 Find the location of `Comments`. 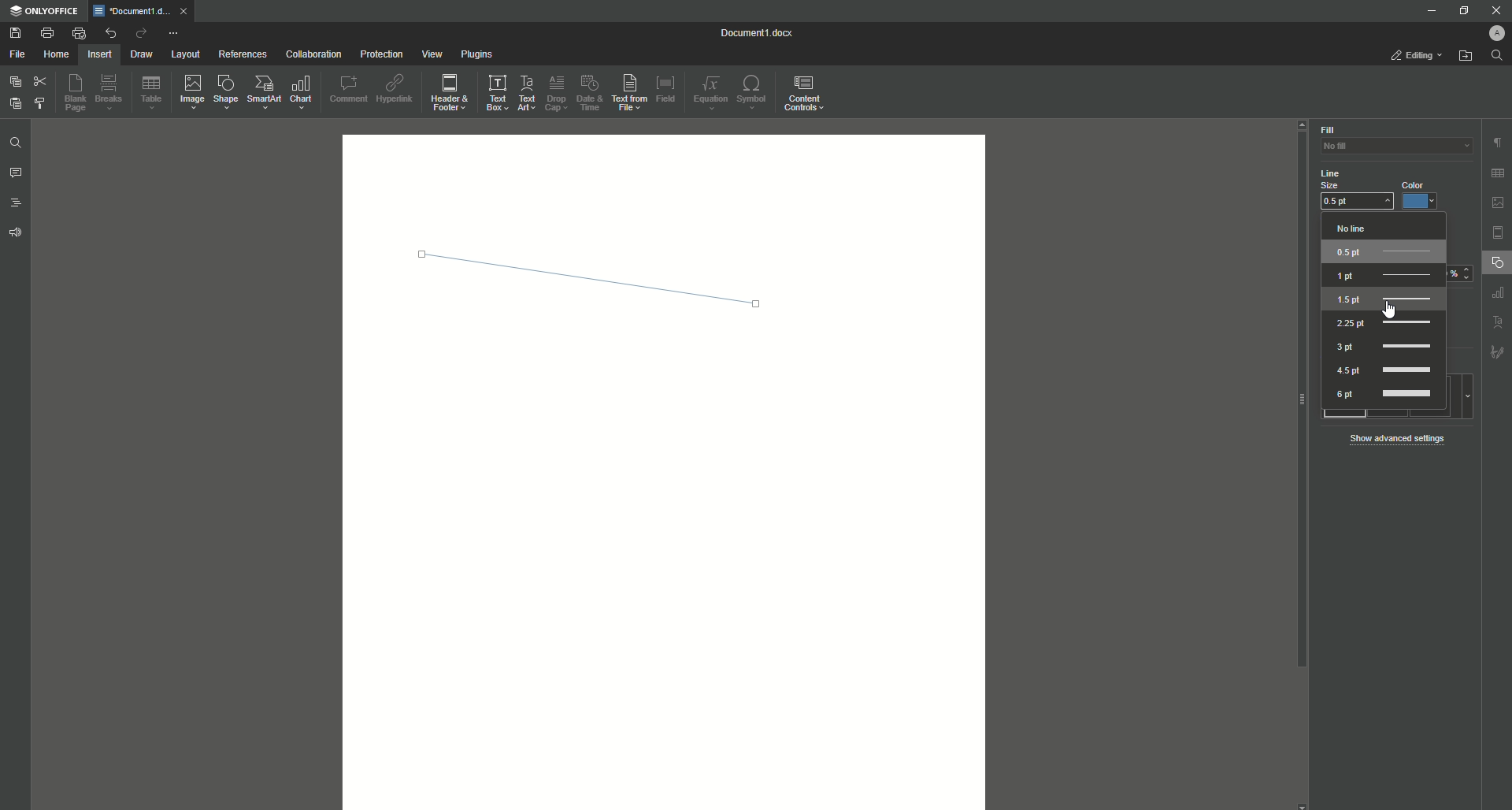

Comments is located at coordinates (16, 175).